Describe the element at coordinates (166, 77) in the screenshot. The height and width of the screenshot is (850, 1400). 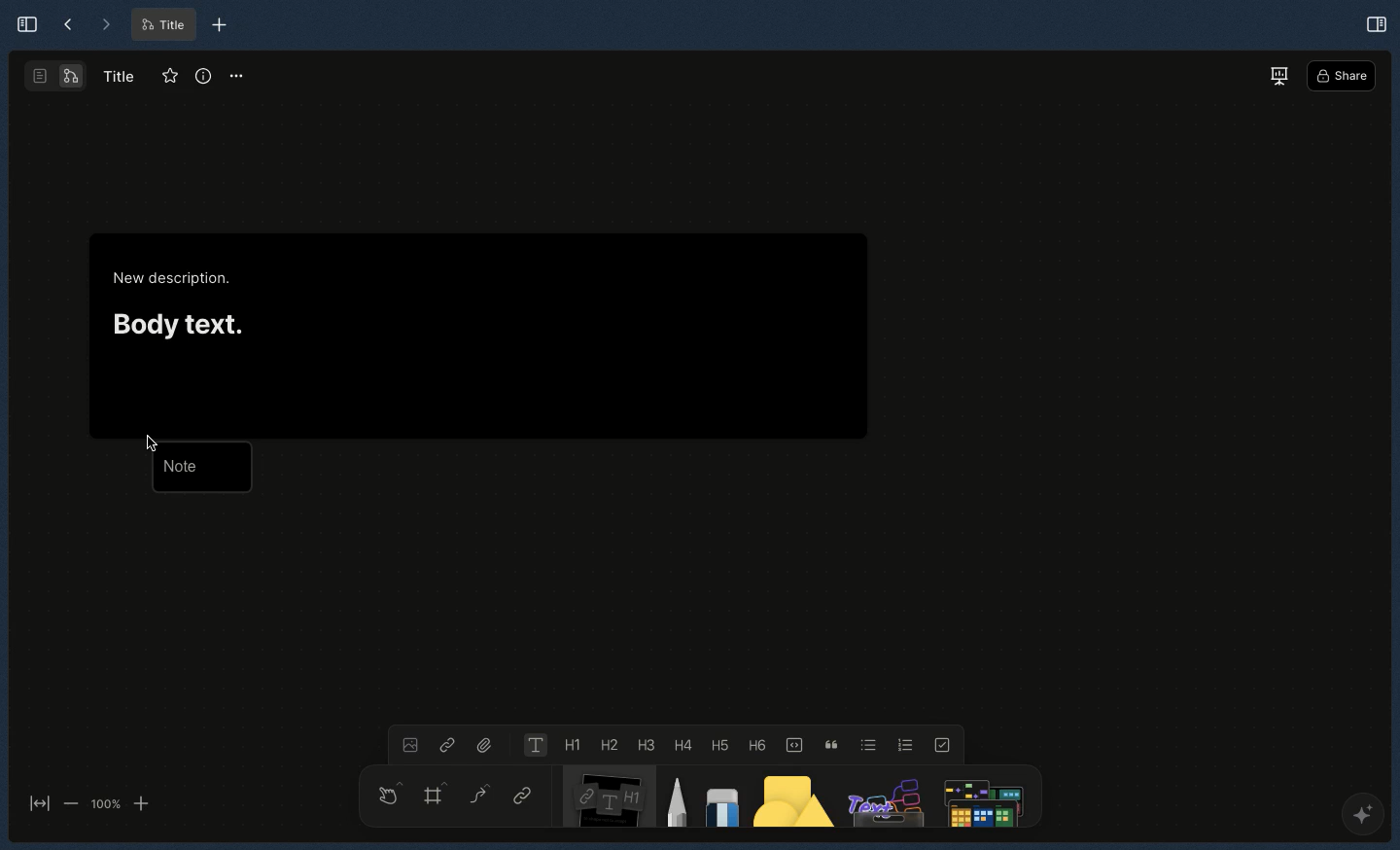
I see `Favorite` at that location.